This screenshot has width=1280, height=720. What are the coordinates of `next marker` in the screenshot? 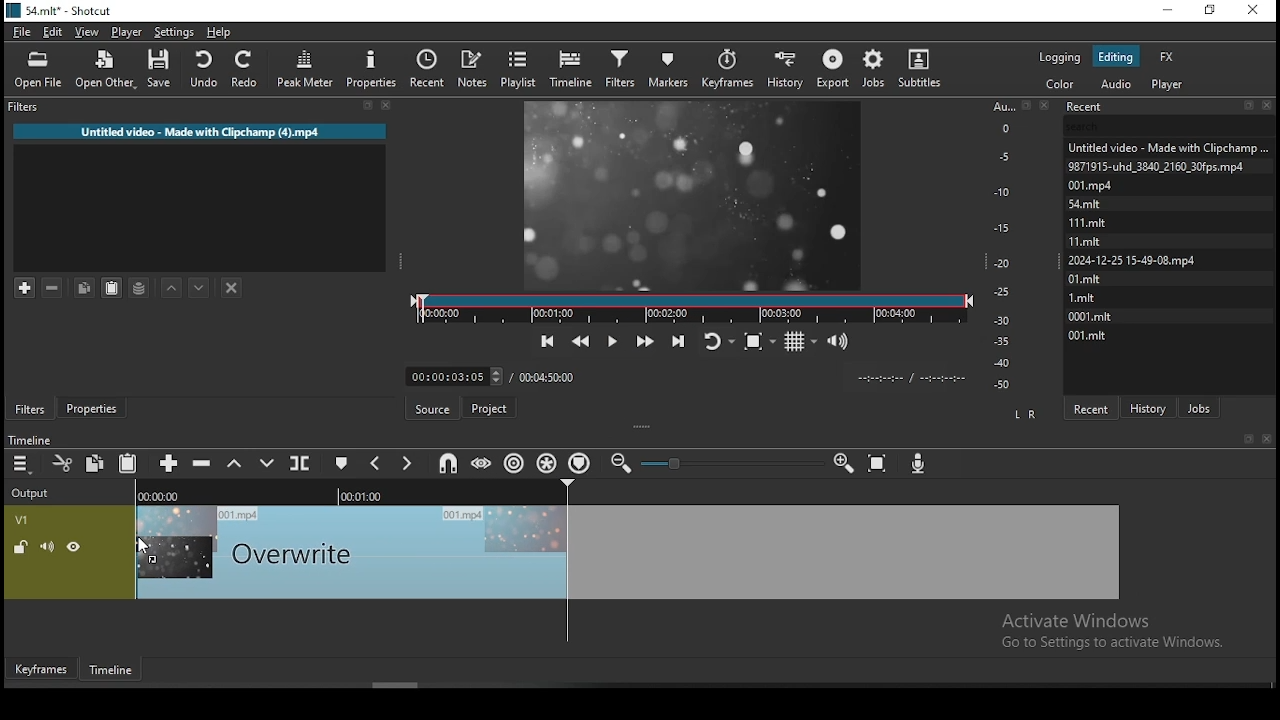 It's located at (407, 463).